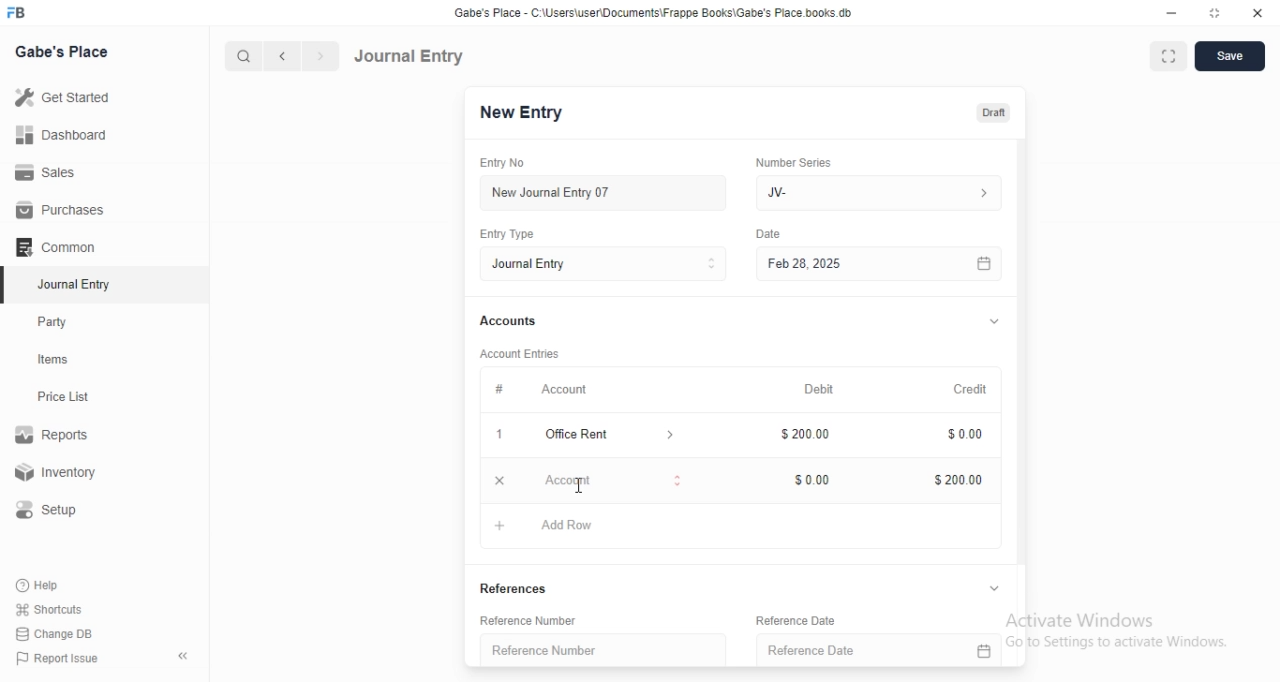  I want to click on v, so click(994, 318).